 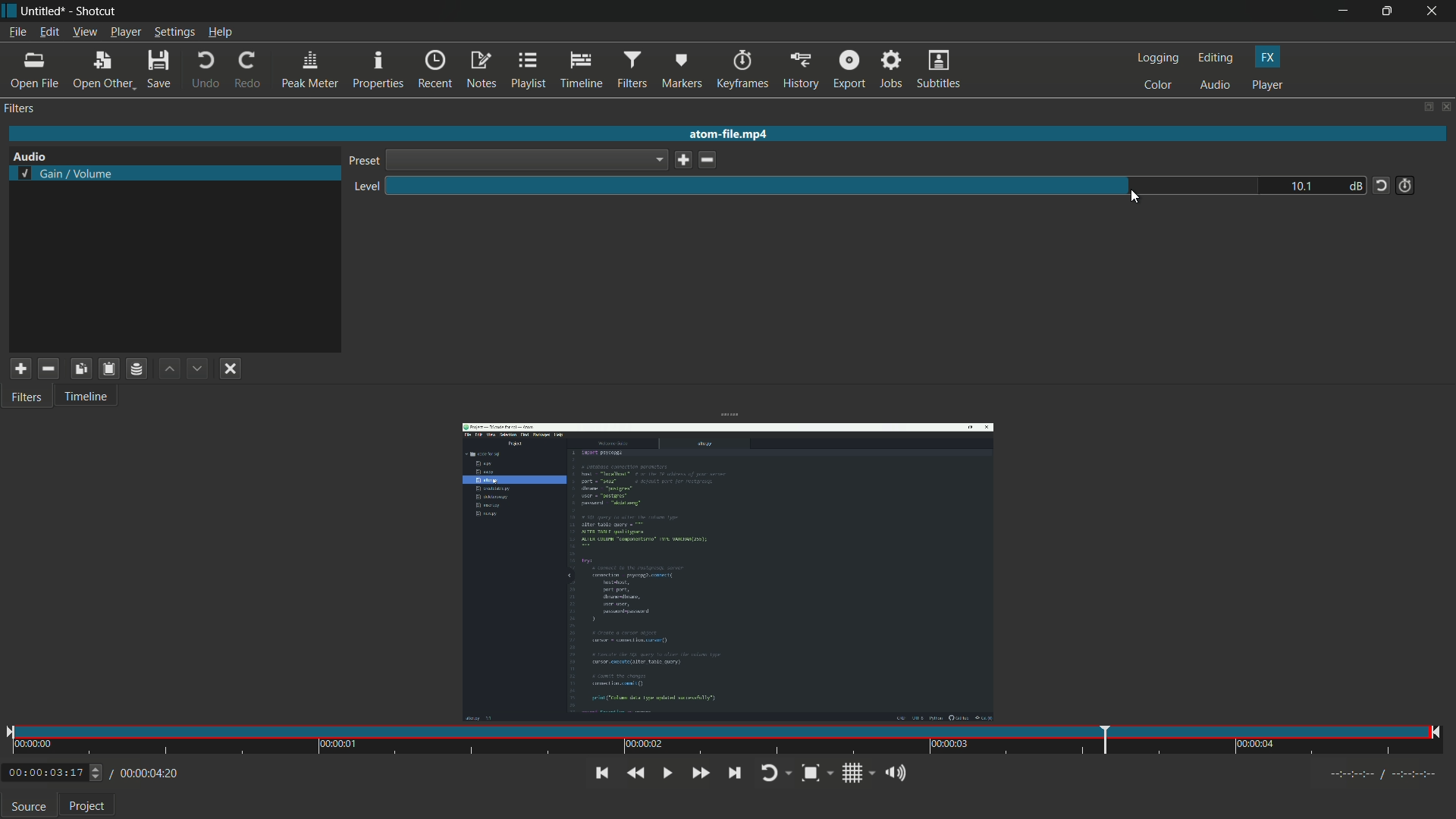 What do you see at coordinates (734, 773) in the screenshot?
I see `skip to next point` at bounding box center [734, 773].